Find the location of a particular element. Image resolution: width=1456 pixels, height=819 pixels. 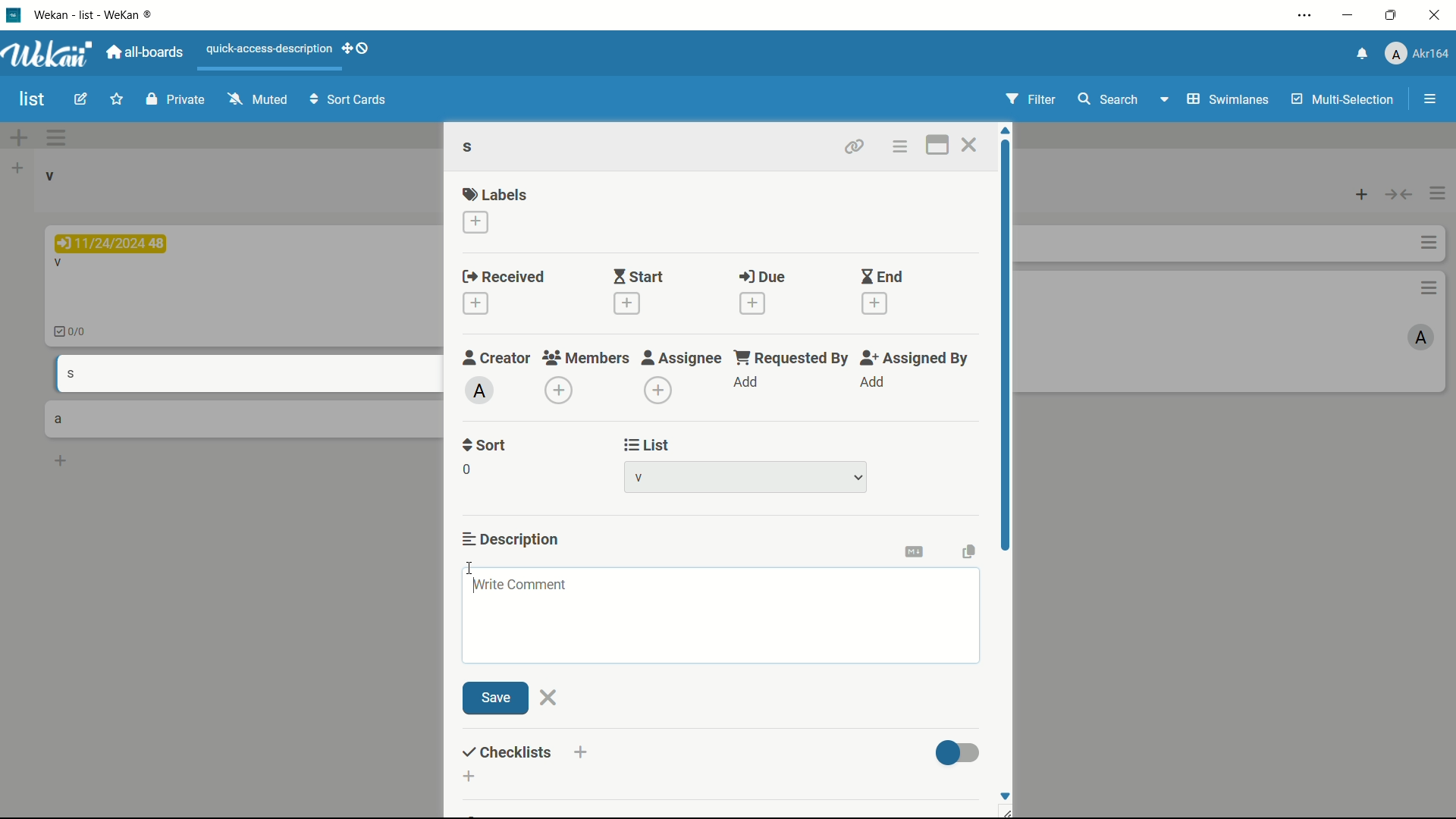

sort number is located at coordinates (466, 469).